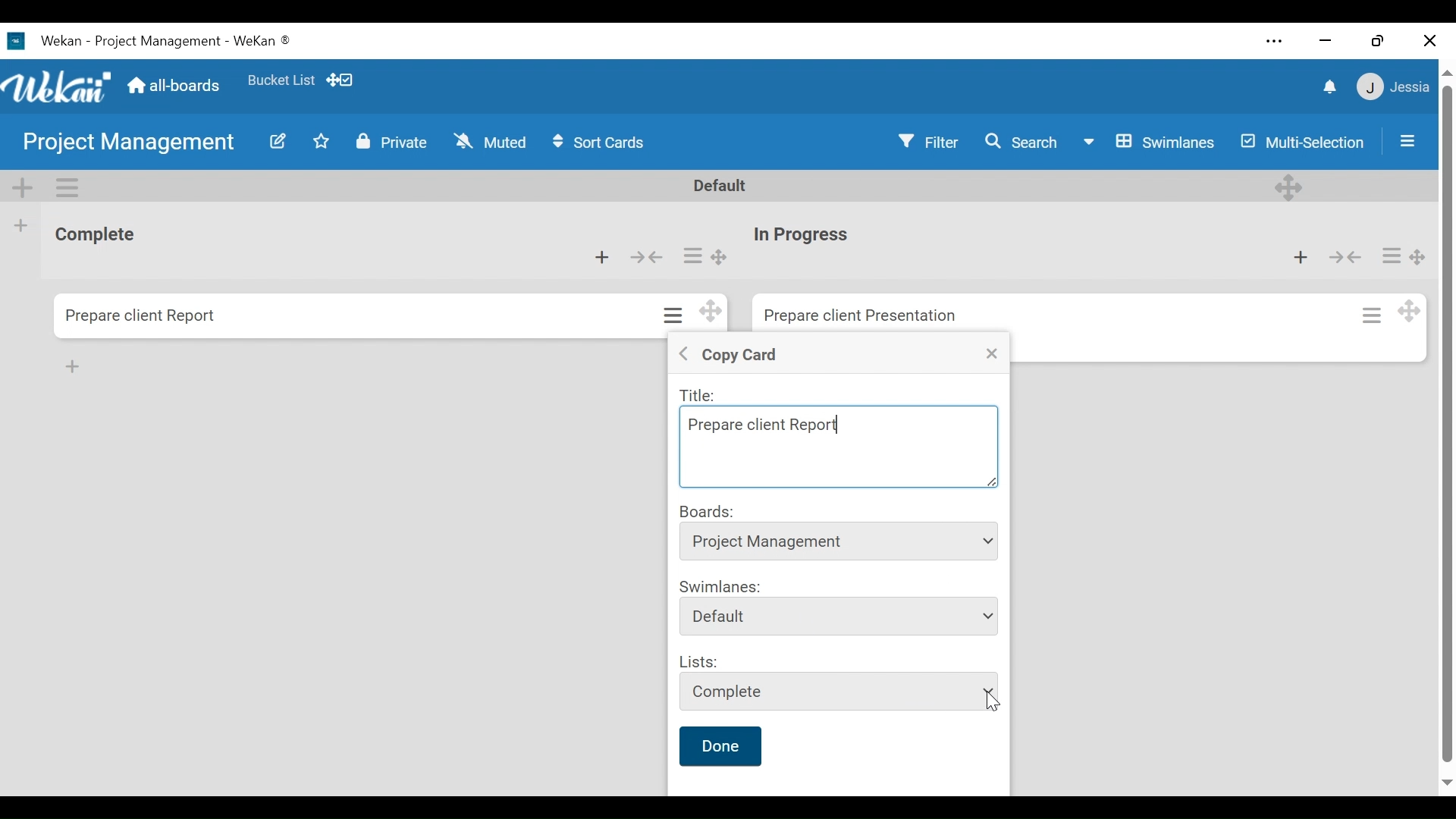 The width and height of the screenshot is (1456, 819). I want to click on Title, so click(702, 394).